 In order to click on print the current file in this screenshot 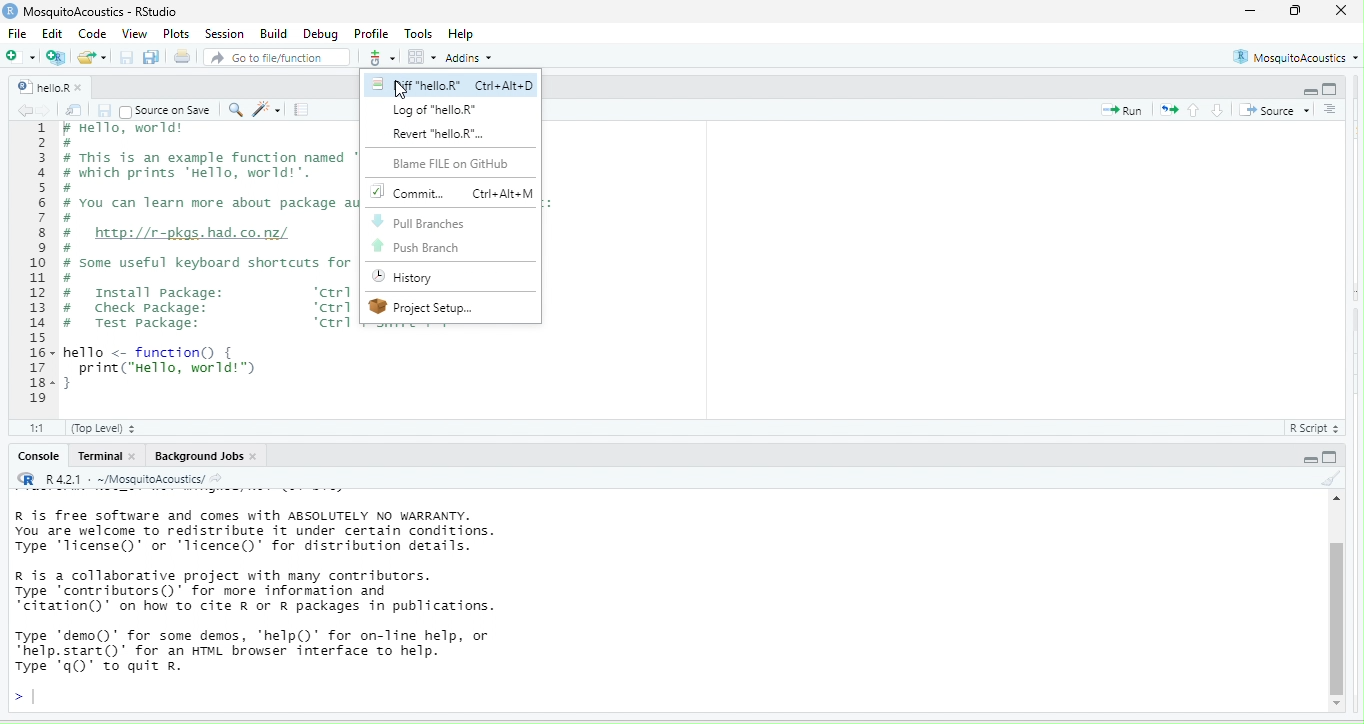, I will do `click(182, 56)`.